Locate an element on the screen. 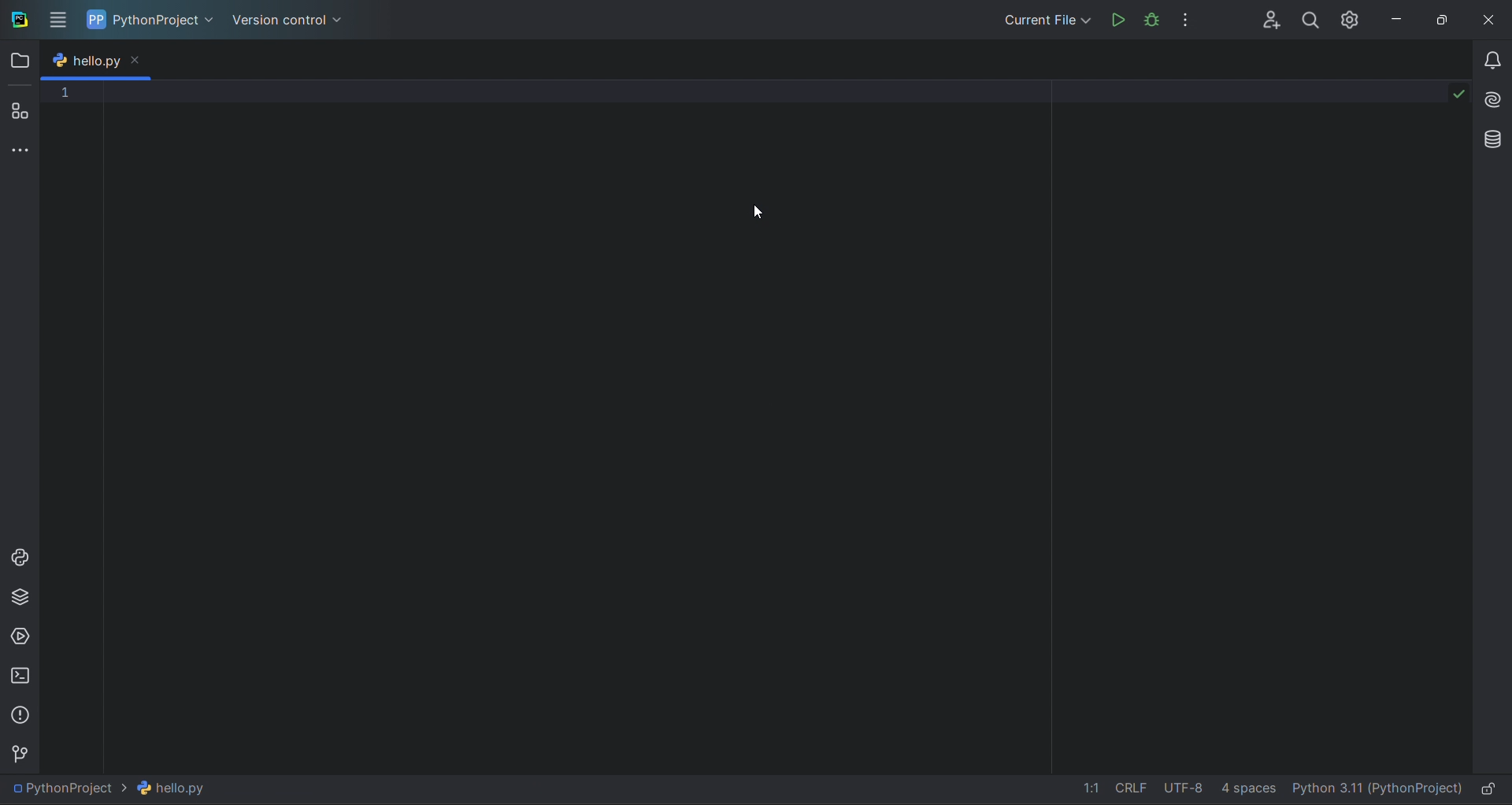 This screenshot has height=805, width=1512. folder window is located at coordinates (19, 58).